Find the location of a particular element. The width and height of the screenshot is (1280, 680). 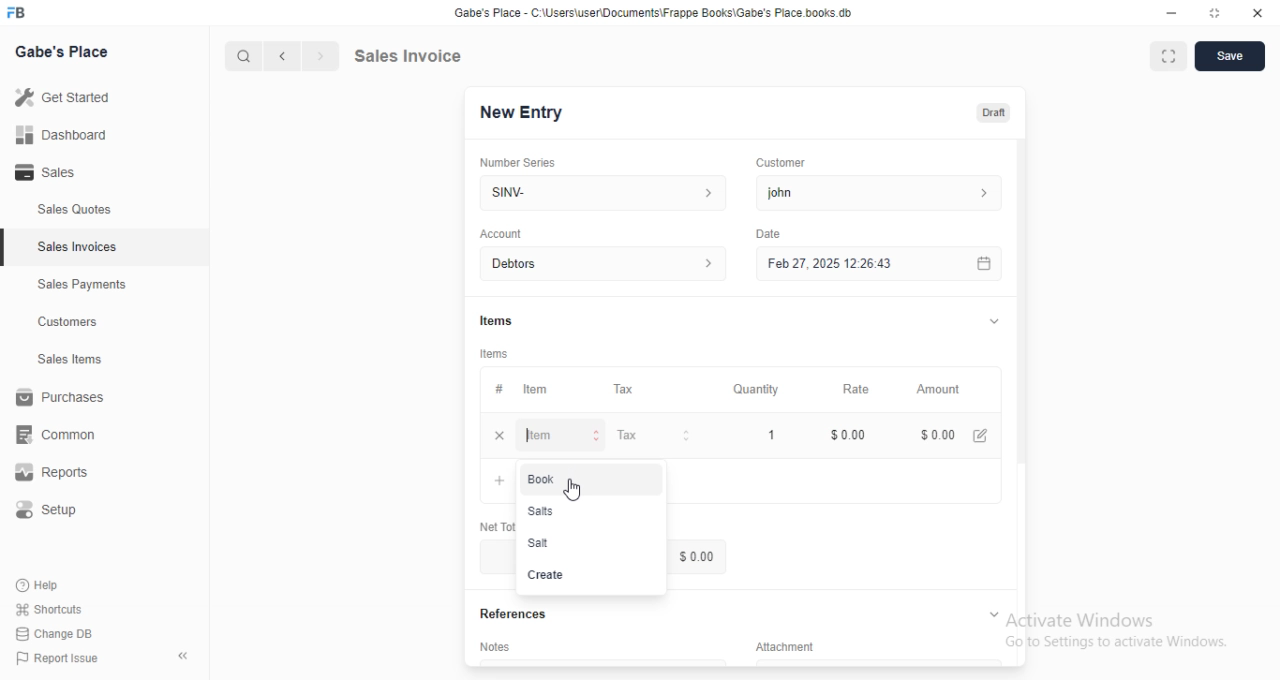

$0.00 is located at coordinates (957, 433).